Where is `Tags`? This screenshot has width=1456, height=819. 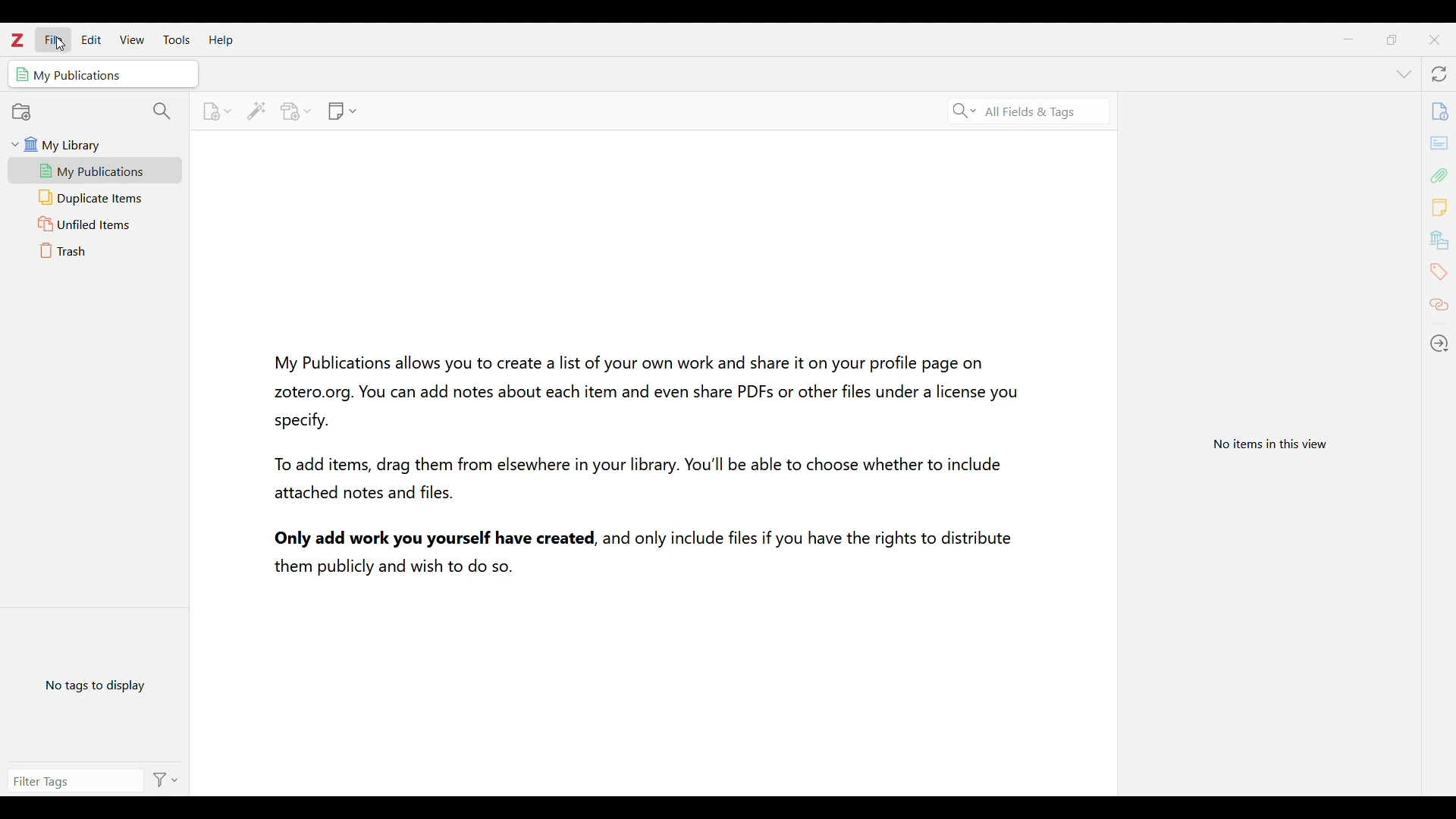 Tags is located at coordinates (1439, 271).